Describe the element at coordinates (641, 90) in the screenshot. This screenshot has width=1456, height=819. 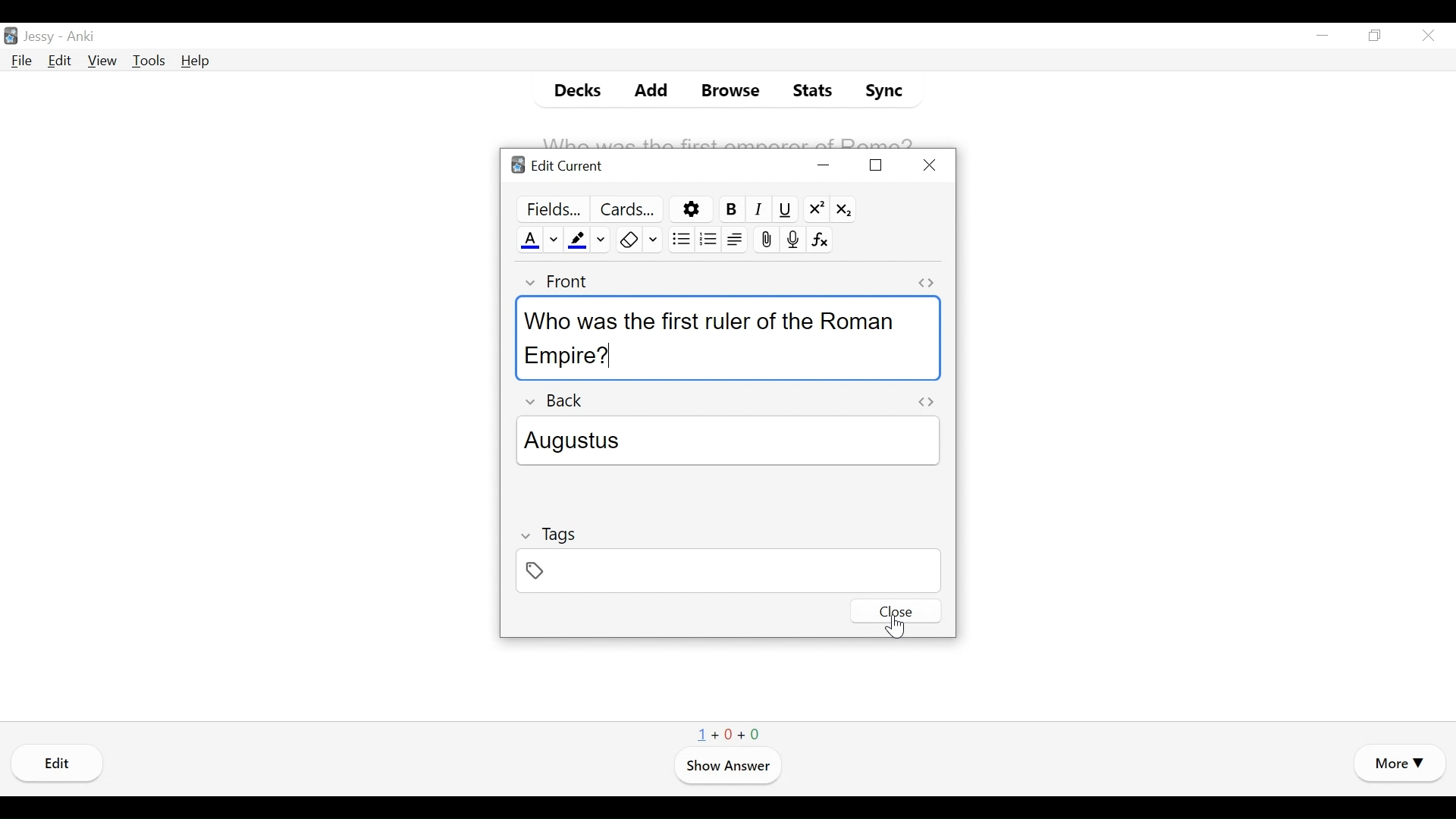
I see `Add` at that location.